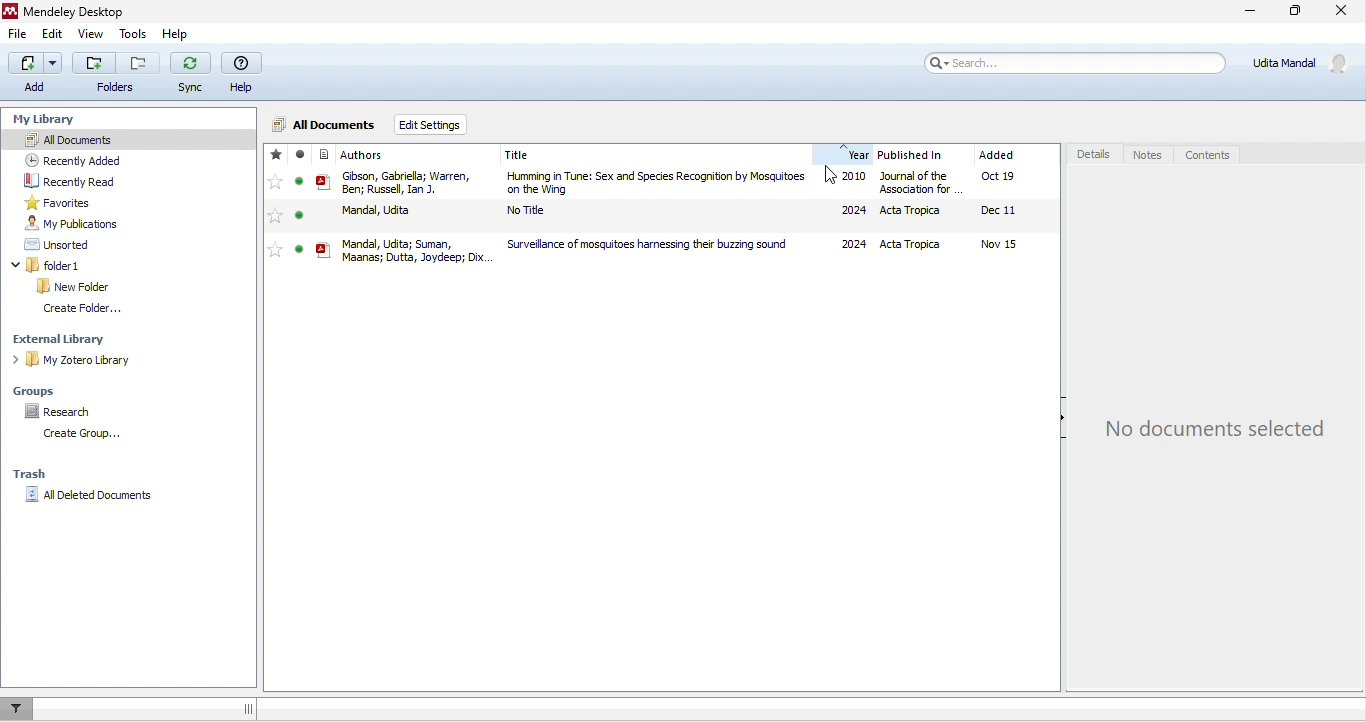 The height and width of the screenshot is (722, 1366). What do you see at coordinates (73, 285) in the screenshot?
I see `new folder` at bounding box center [73, 285].